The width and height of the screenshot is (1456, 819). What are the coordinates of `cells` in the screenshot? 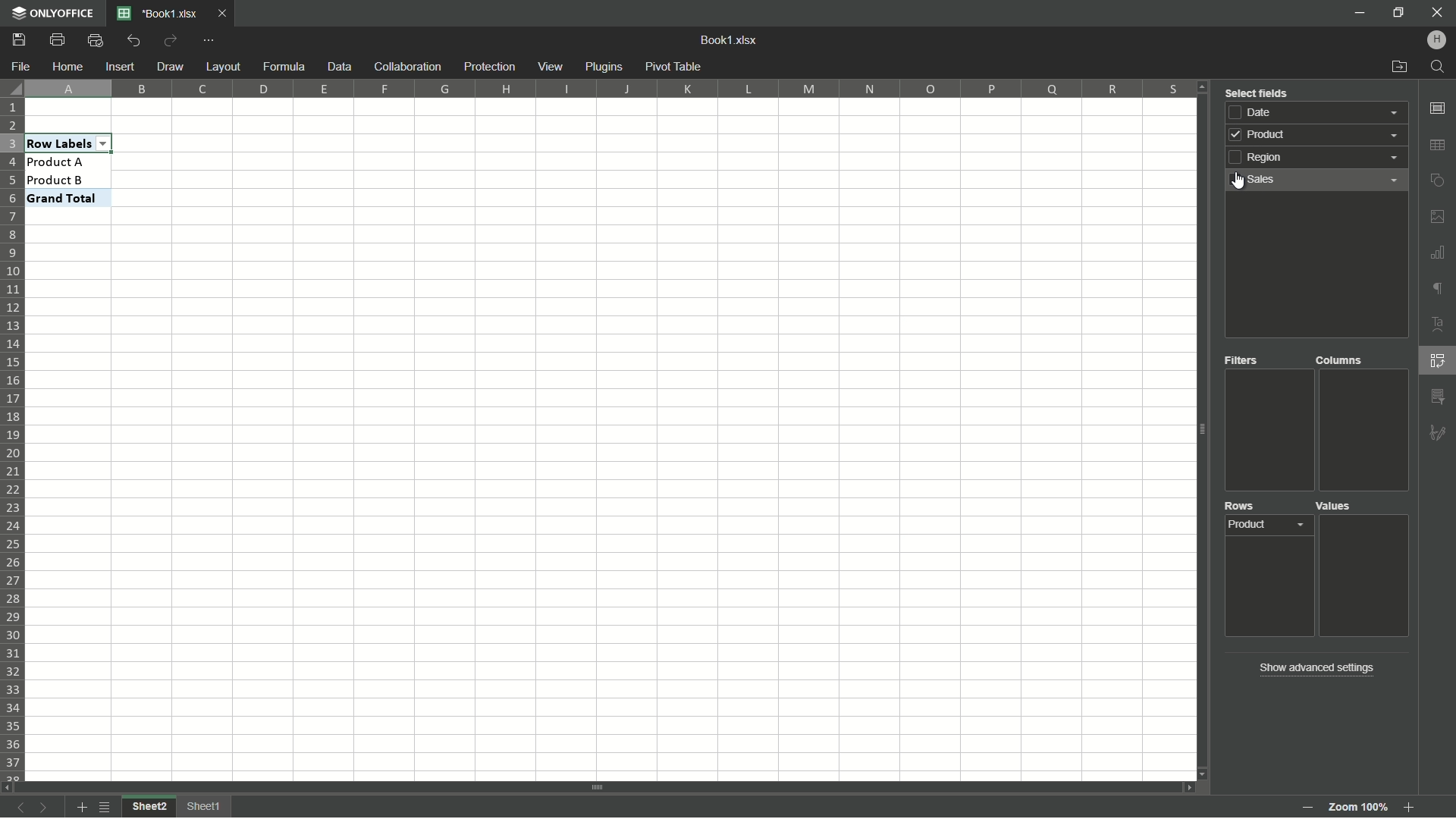 It's located at (714, 438).